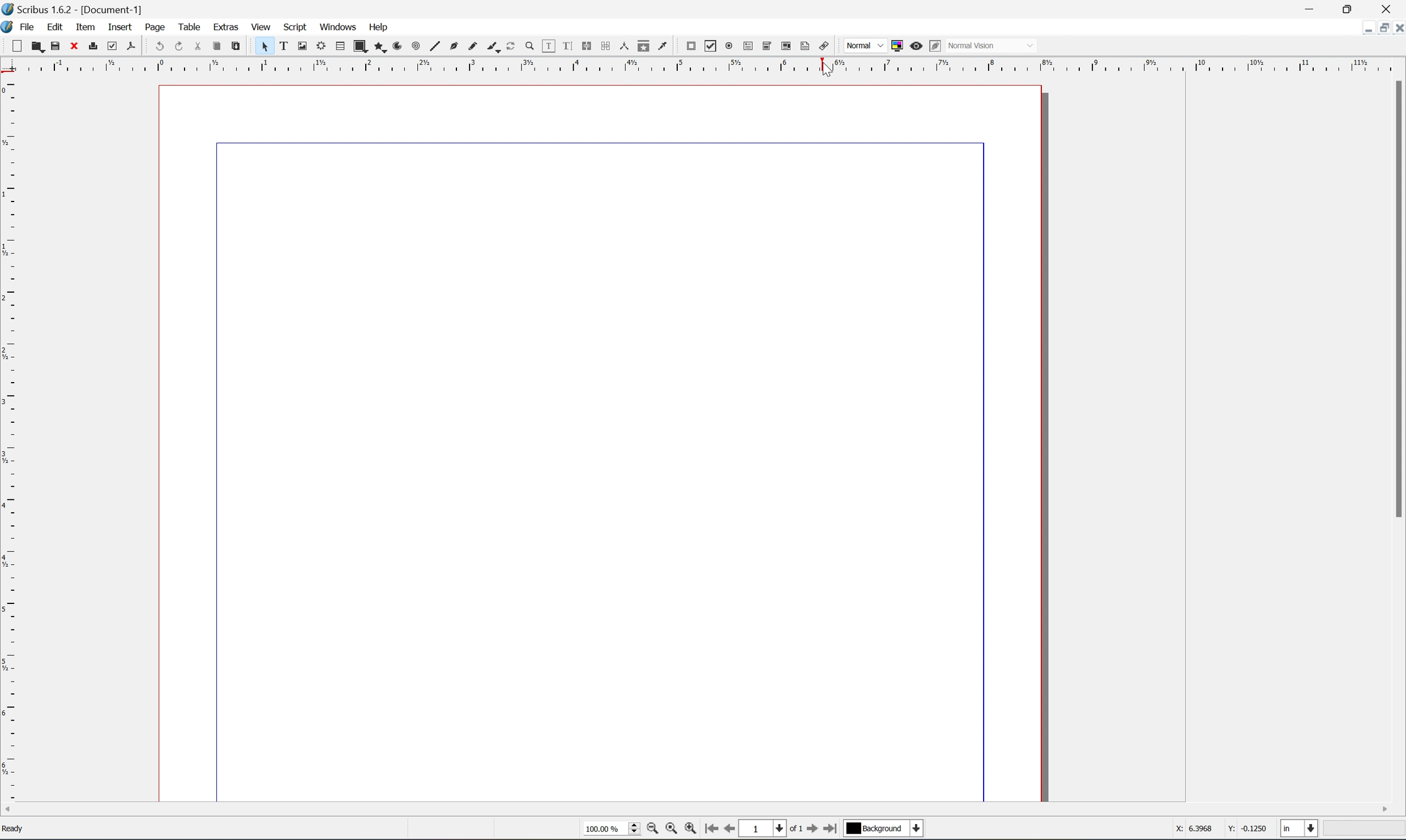 The image size is (1406, 840). What do you see at coordinates (340, 48) in the screenshot?
I see `table` at bounding box center [340, 48].